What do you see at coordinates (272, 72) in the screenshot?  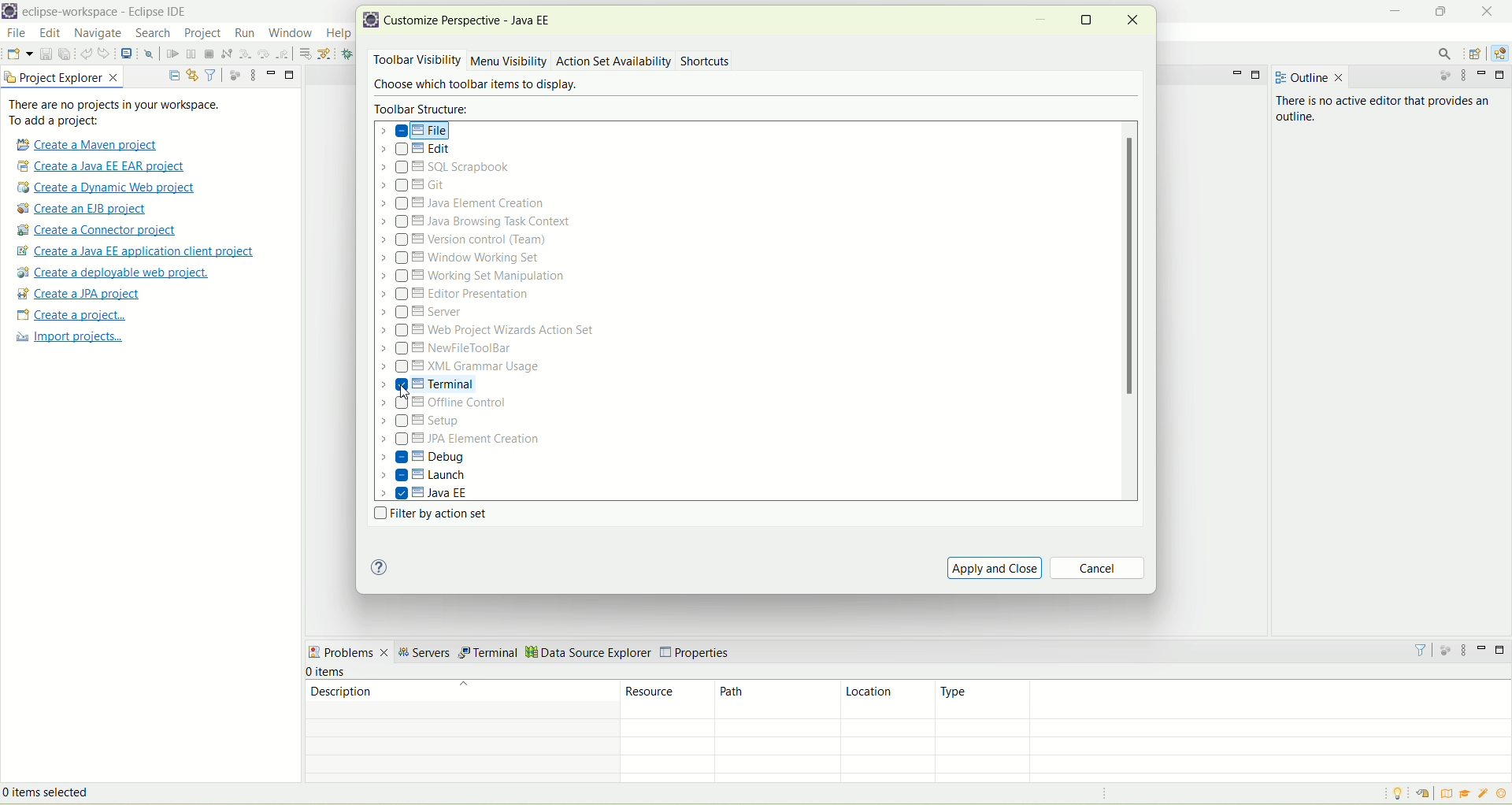 I see `minimize` at bounding box center [272, 72].